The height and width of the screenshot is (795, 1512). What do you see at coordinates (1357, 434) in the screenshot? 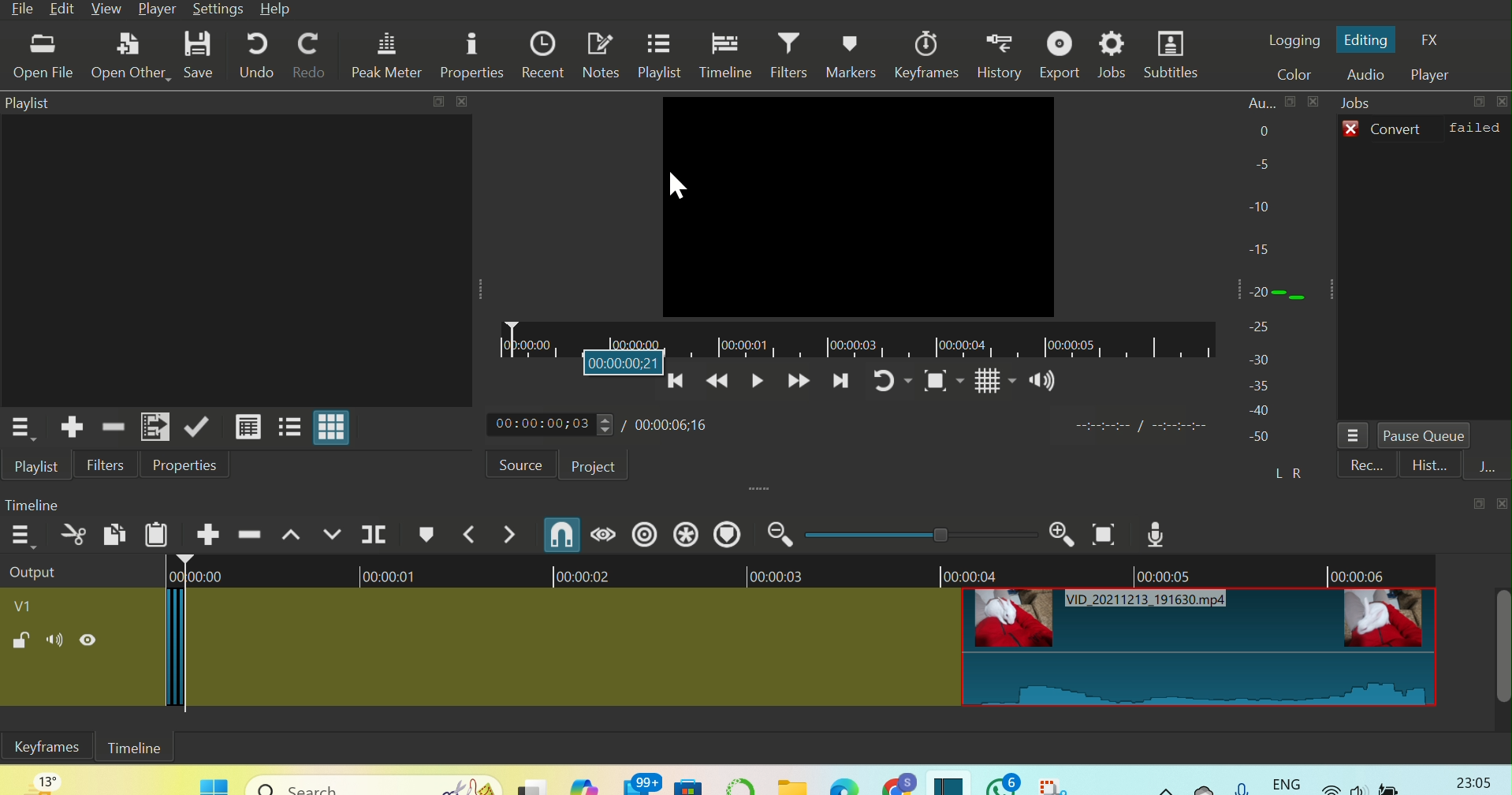
I see `List` at bounding box center [1357, 434].